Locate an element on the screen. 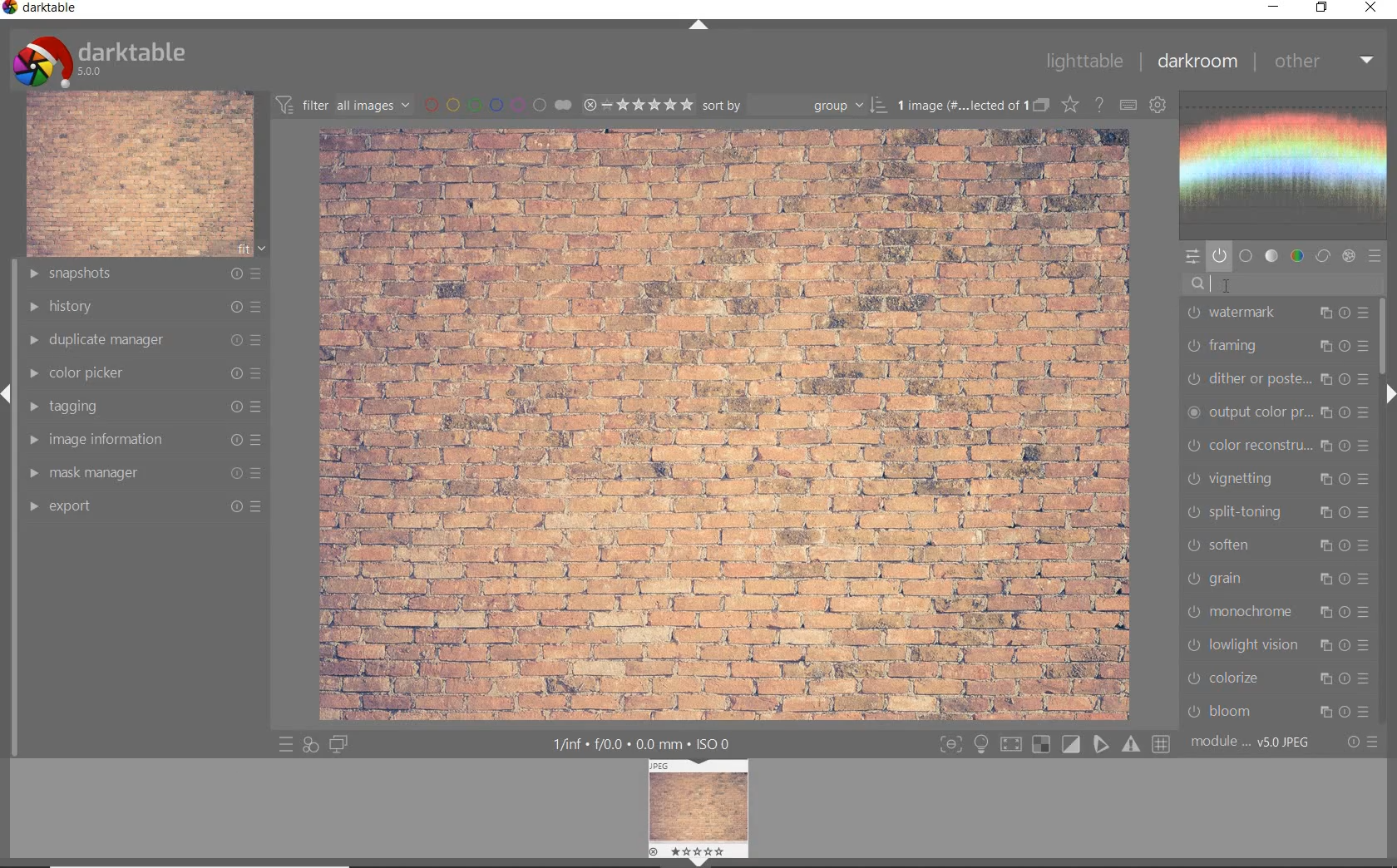  up is located at coordinates (700, 26).